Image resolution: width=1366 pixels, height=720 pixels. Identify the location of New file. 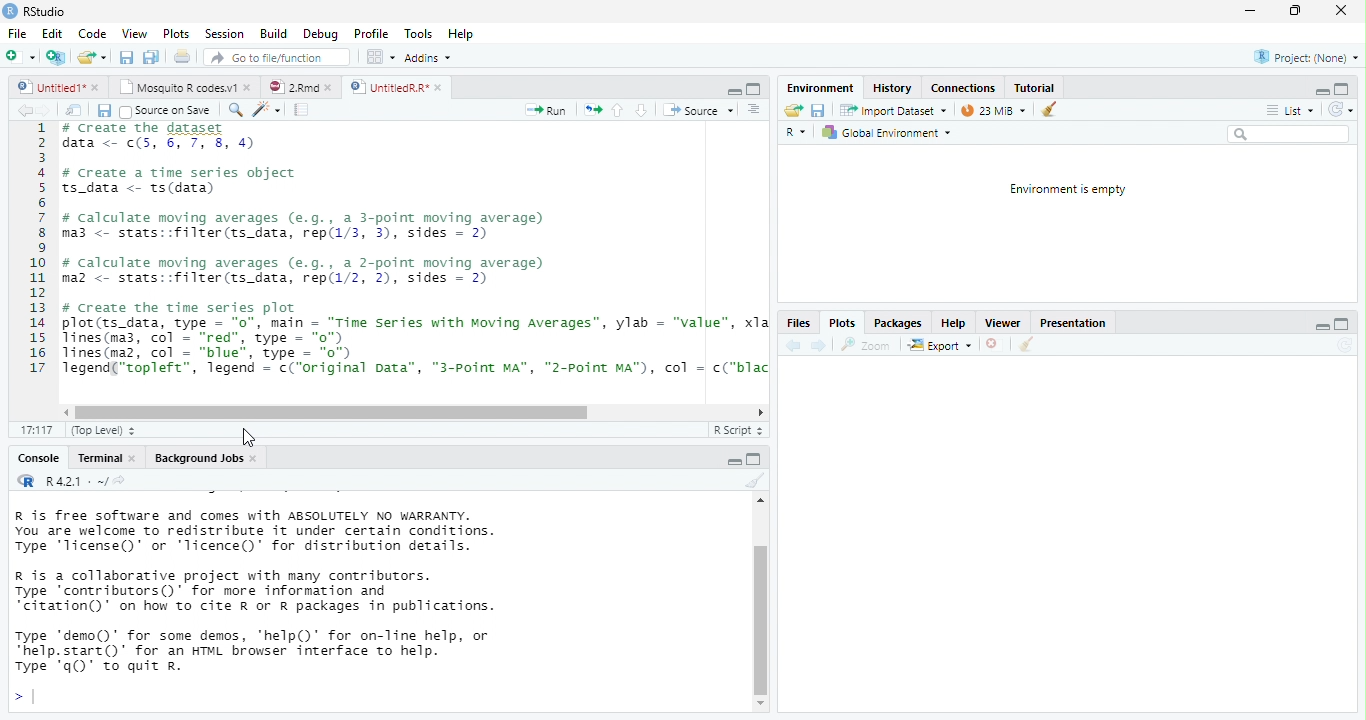
(19, 57).